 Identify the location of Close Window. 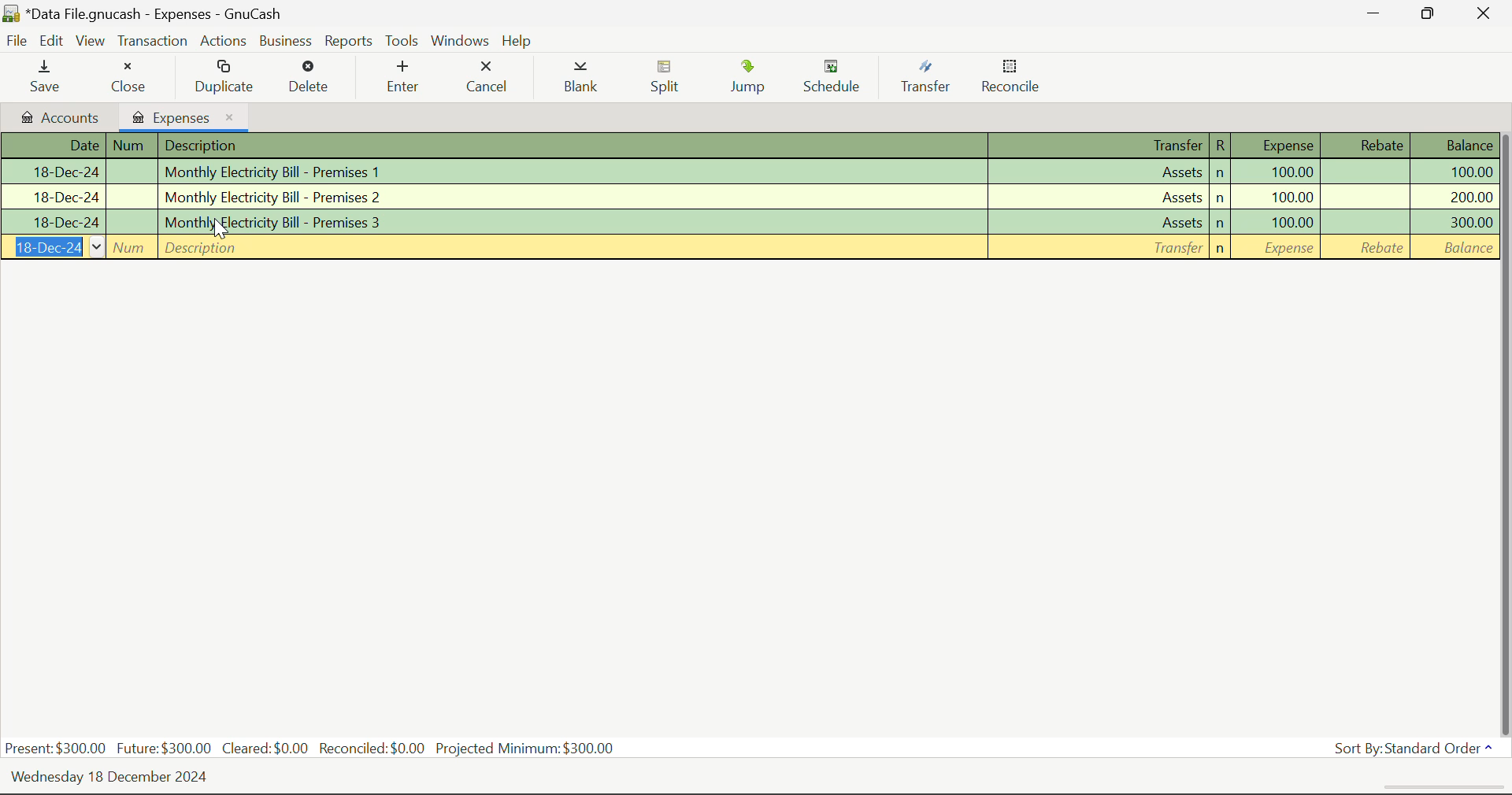
(1484, 14).